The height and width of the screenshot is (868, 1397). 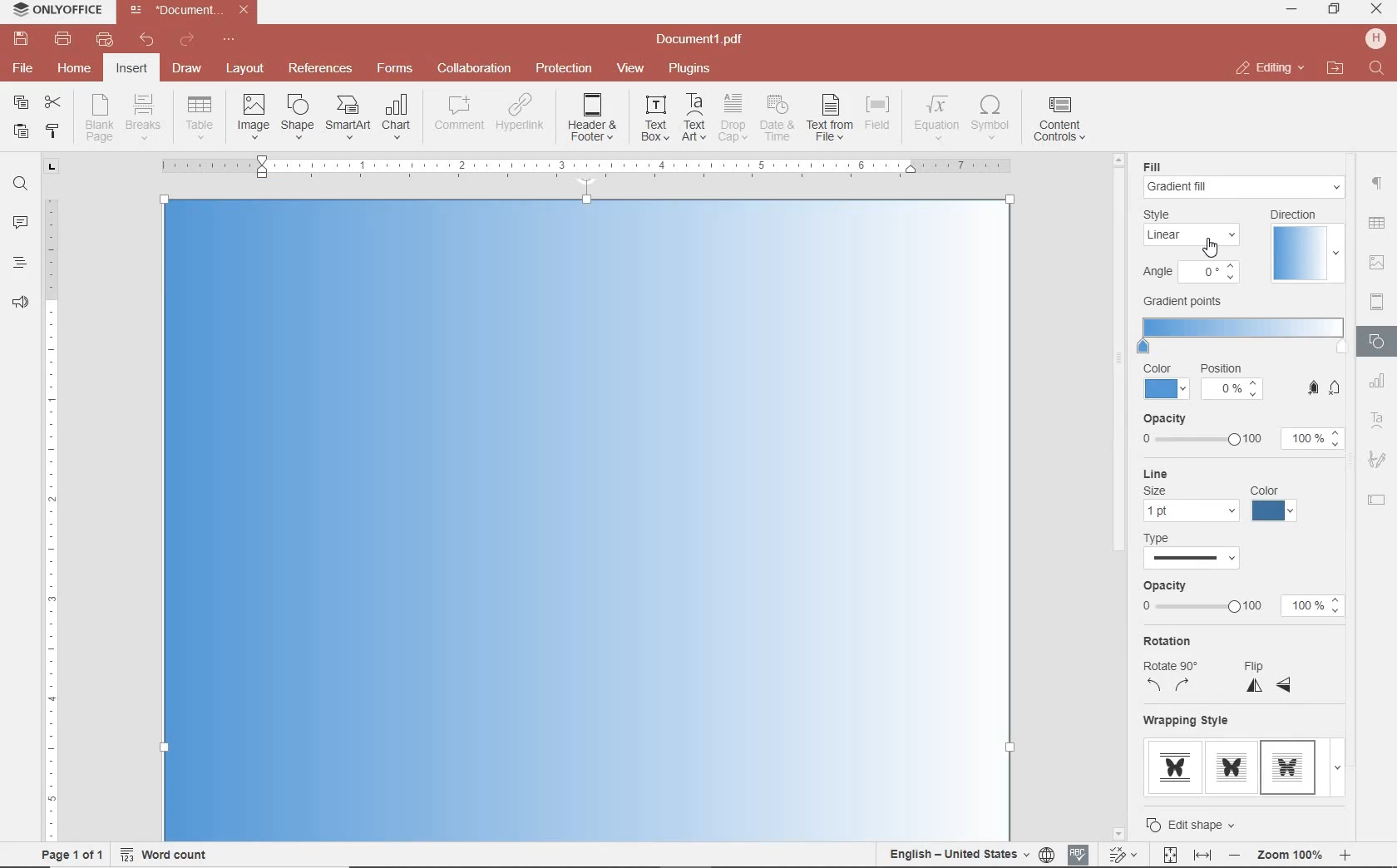 I want to click on TEXT FIELD, so click(x=1377, y=499).